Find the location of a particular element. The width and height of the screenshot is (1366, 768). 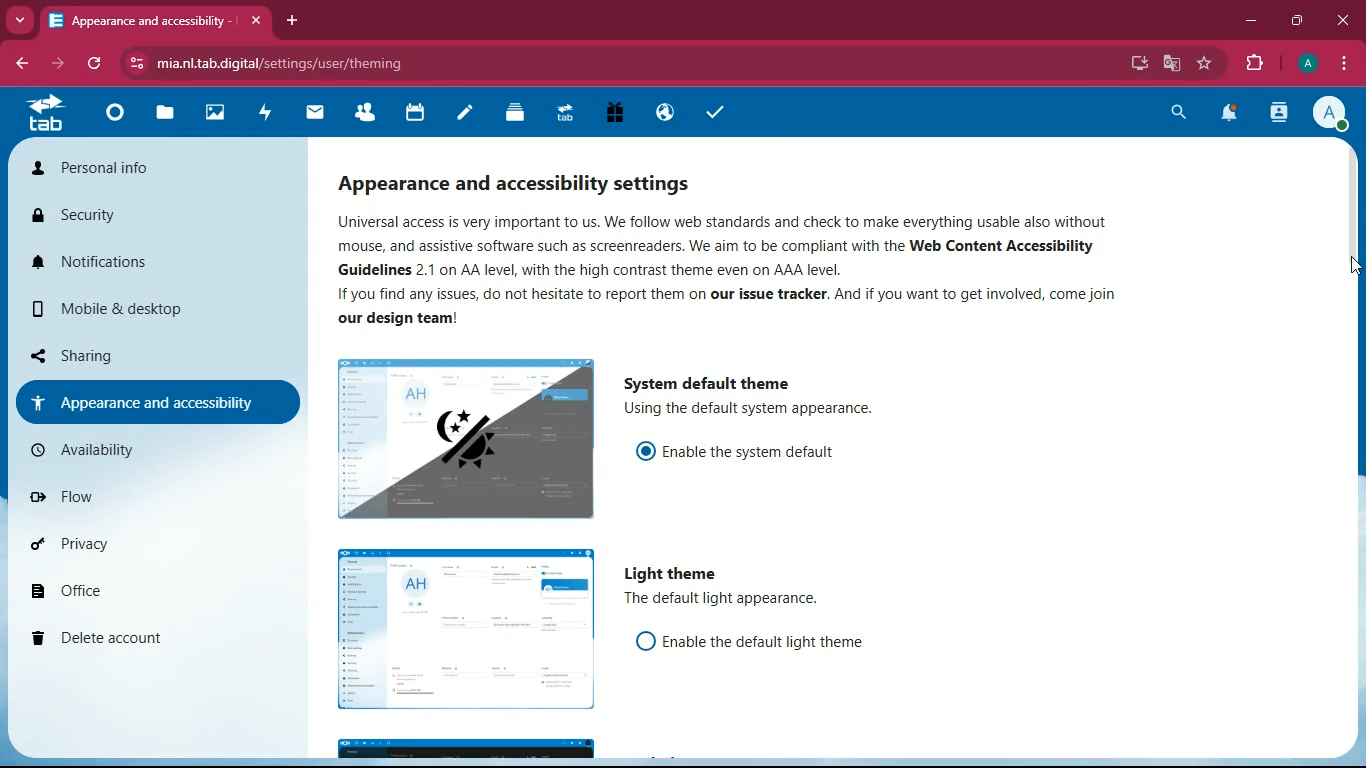

tab is located at coordinates (44, 114).